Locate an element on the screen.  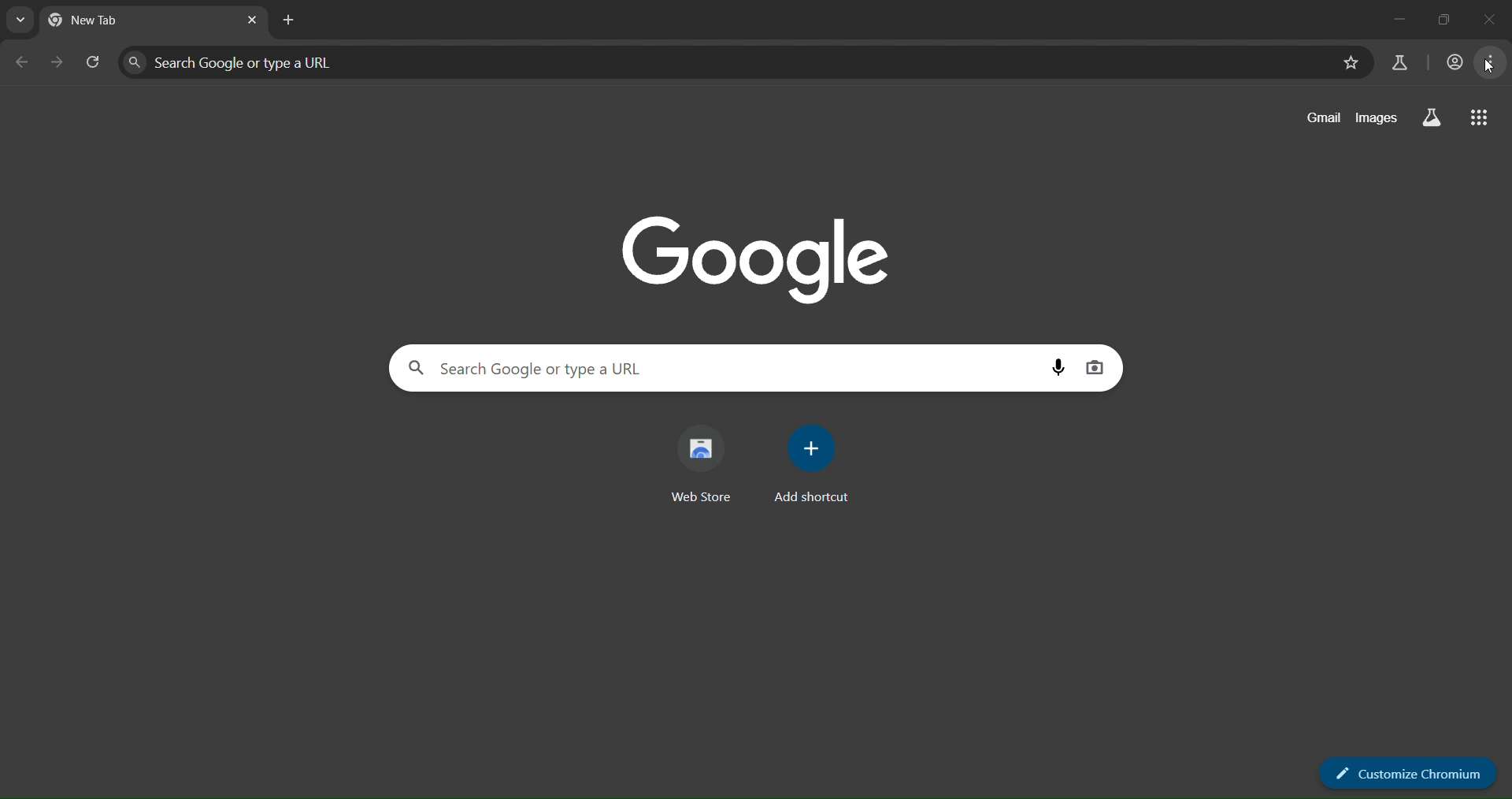
add shortcut is located at coordinates (811, 464).